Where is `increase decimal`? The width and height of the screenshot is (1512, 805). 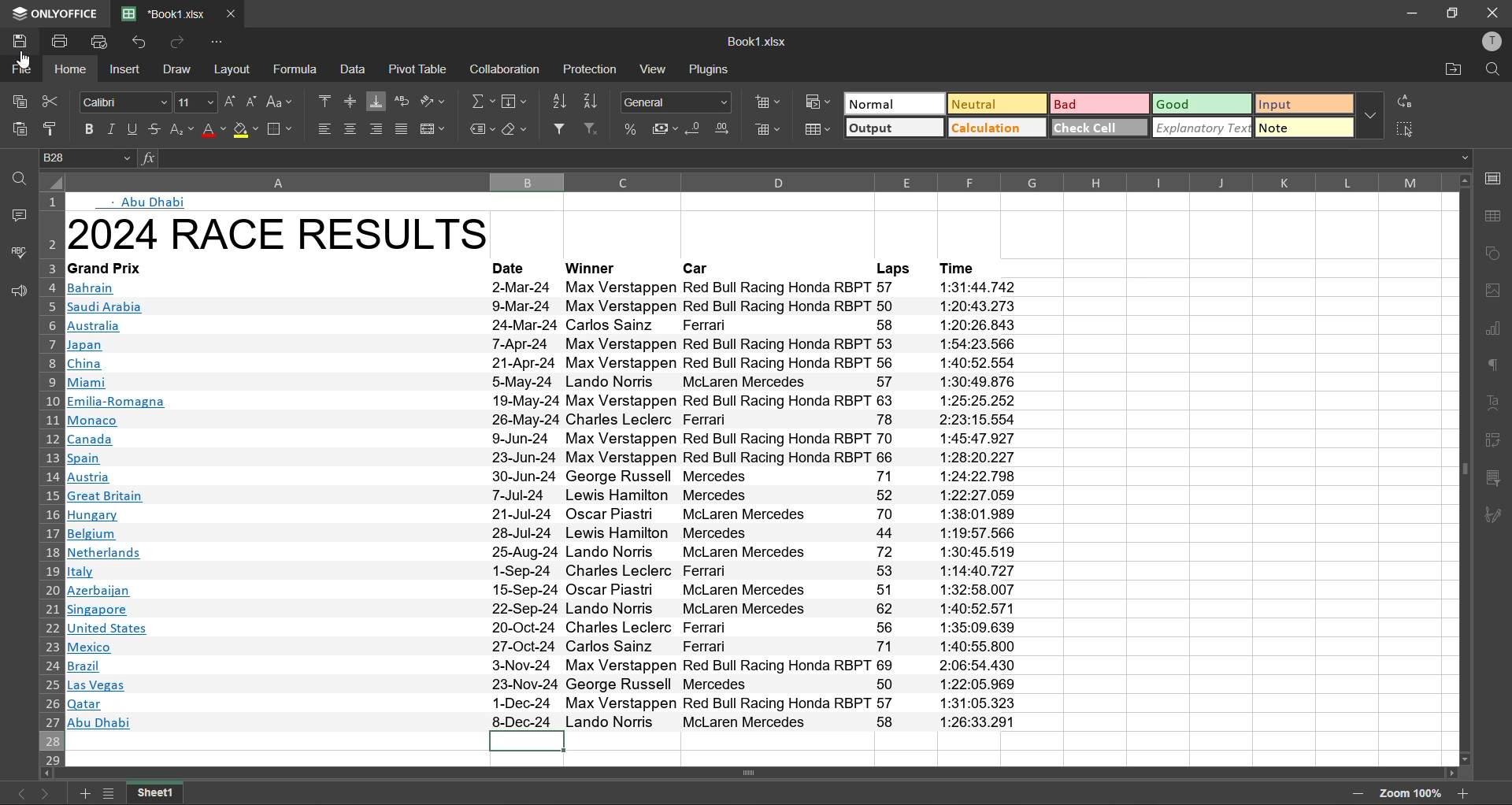 increase decimal is located at coordinates (724, 130).